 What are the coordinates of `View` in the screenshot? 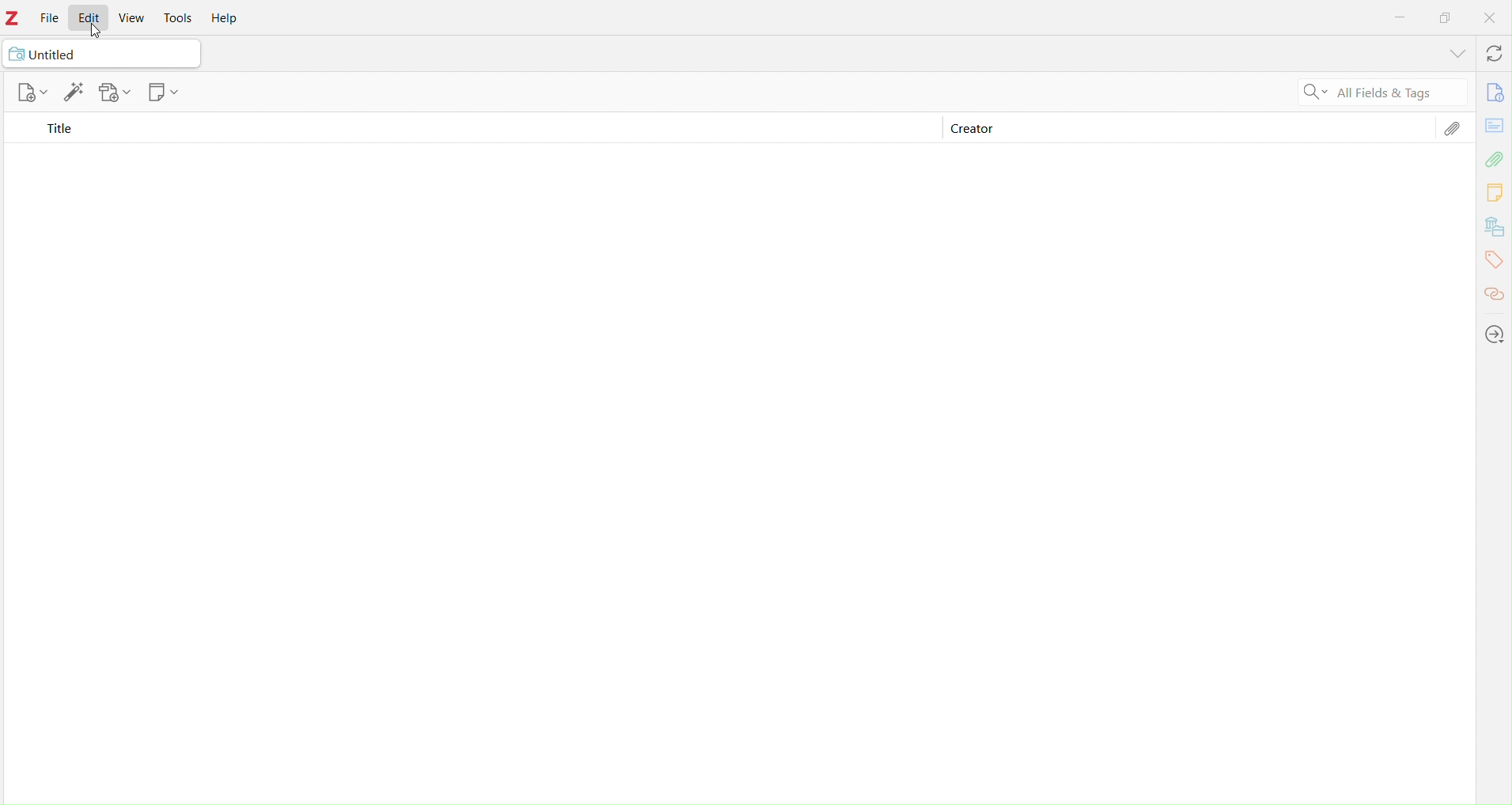 It's located at (129, 18).